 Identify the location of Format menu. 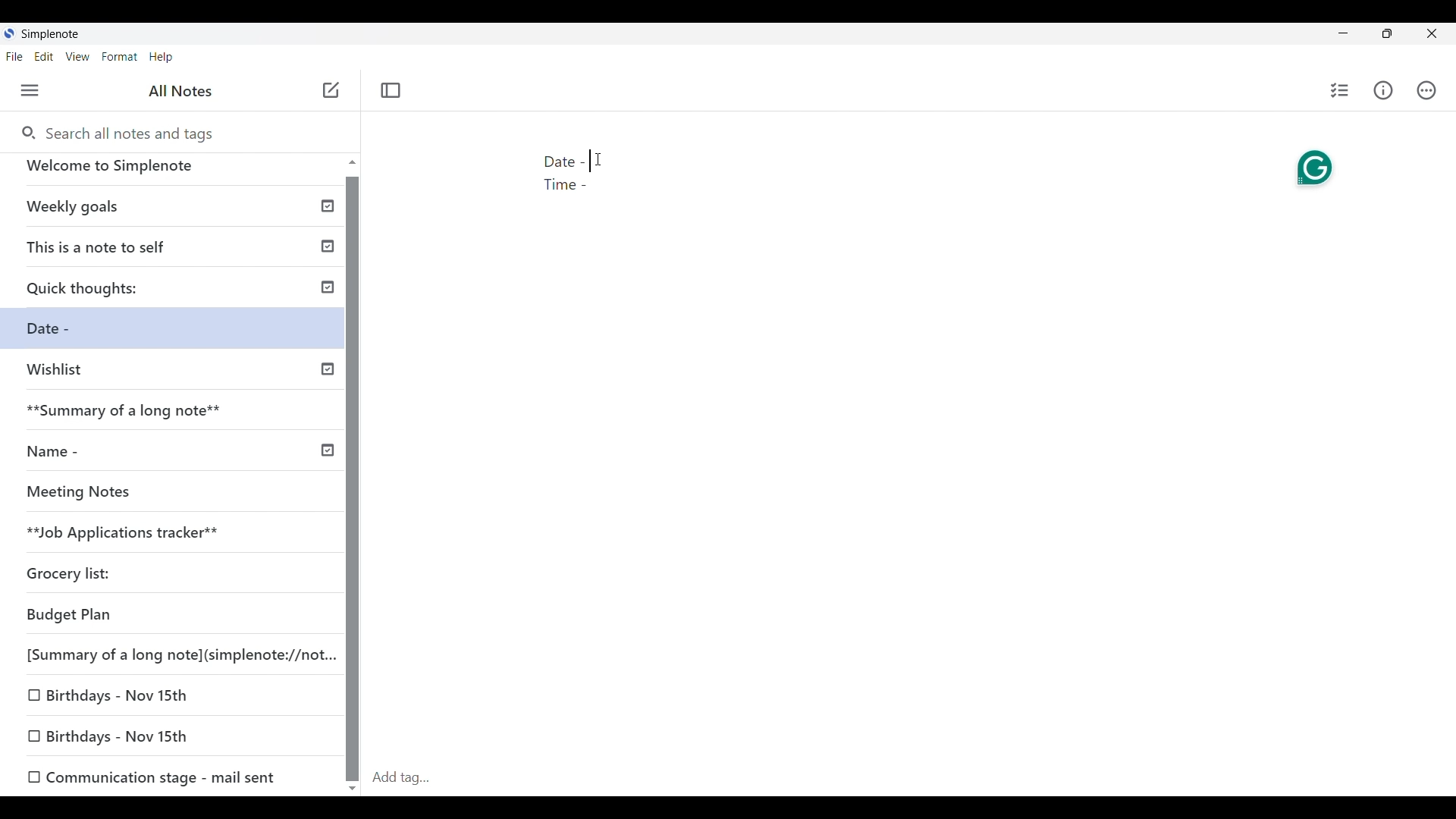
(120, 57).